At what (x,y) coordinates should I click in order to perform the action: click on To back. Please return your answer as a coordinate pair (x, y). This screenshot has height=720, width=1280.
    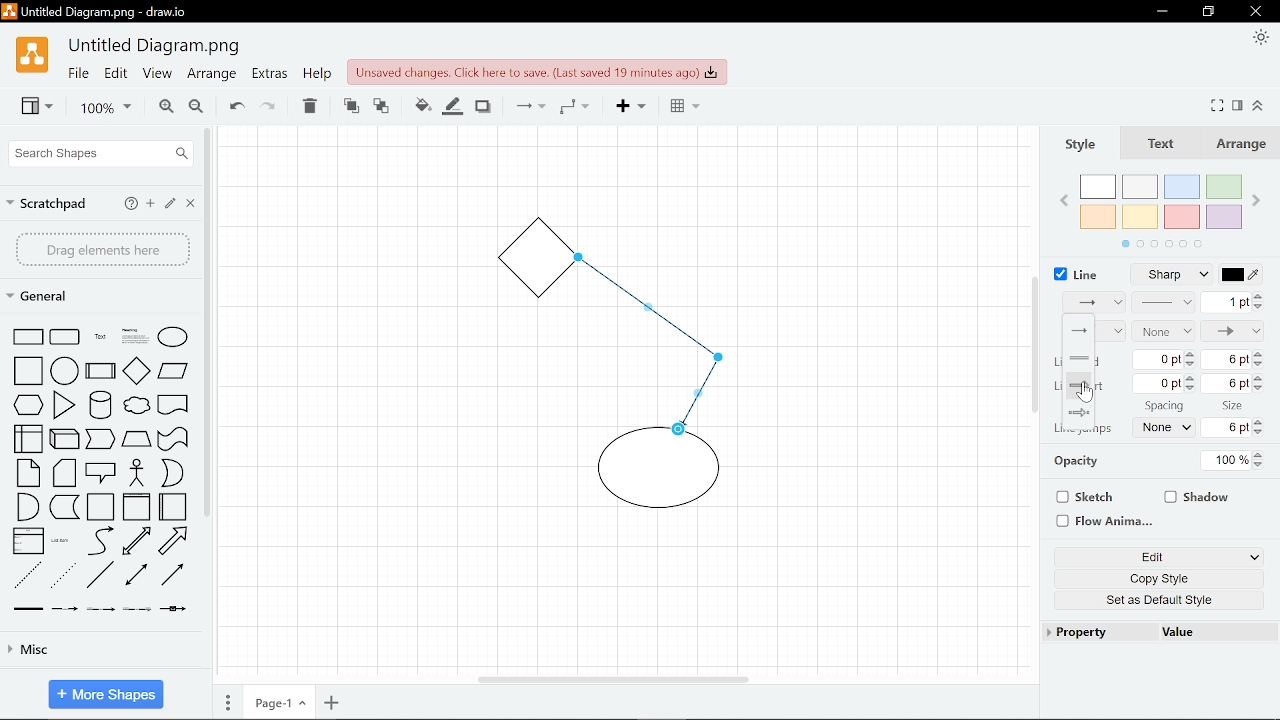
    Looking at the image, I should click on (382, 105).